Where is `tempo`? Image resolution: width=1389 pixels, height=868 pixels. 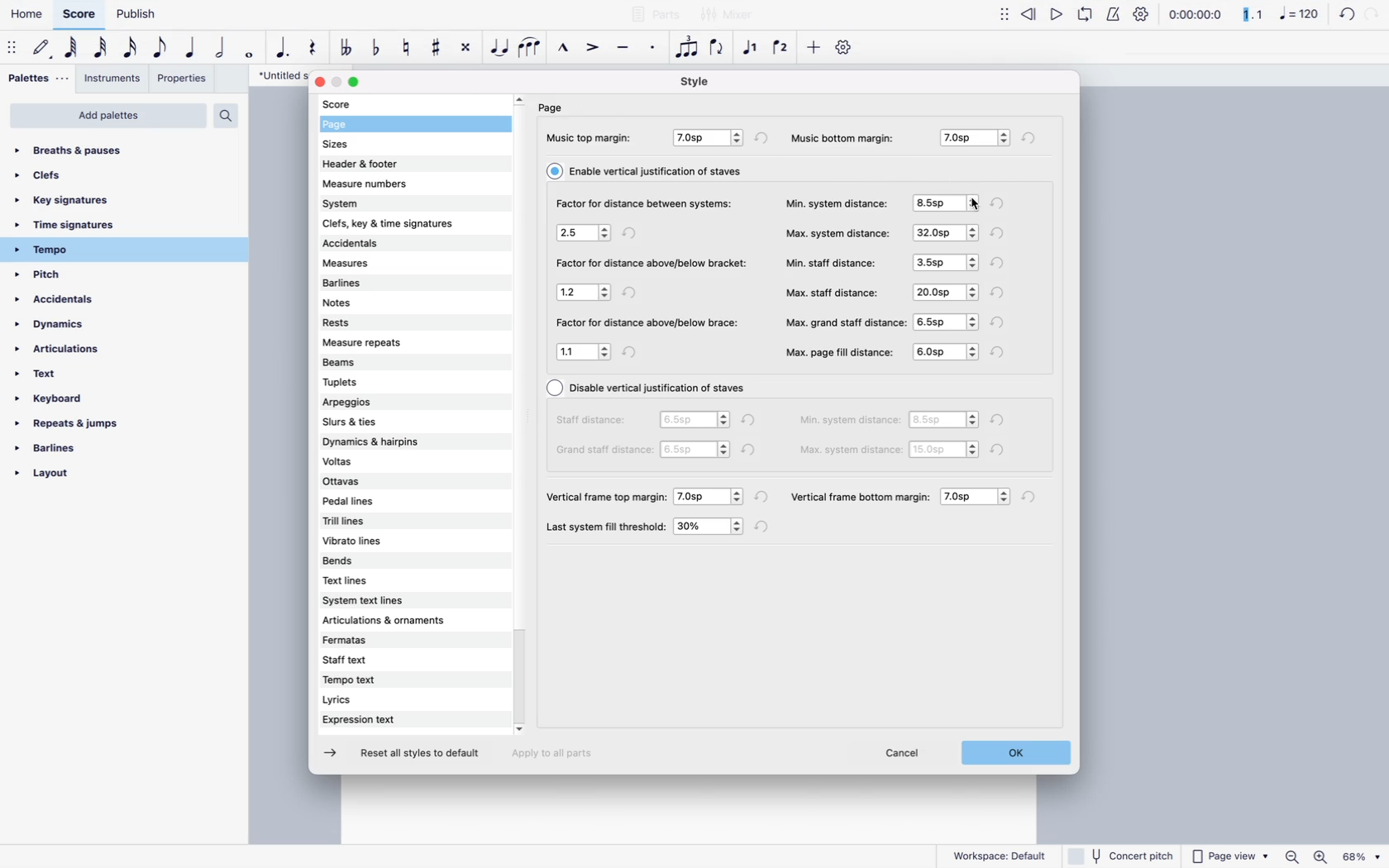 tempo is located at coordinates (93, 250).